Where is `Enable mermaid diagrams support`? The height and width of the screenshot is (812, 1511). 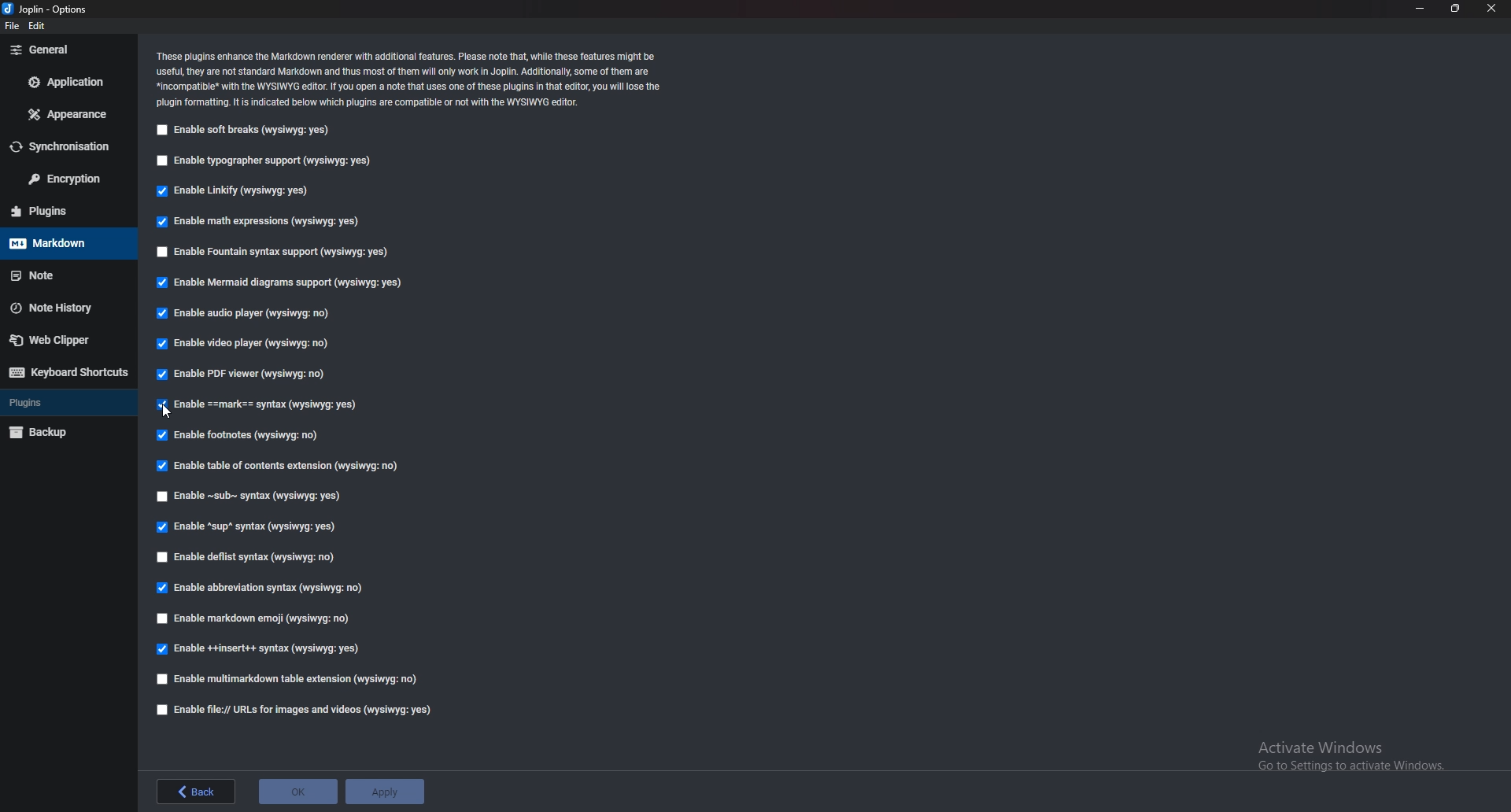
Enable mermaid diagrams support is located at coordinates (278, 282).